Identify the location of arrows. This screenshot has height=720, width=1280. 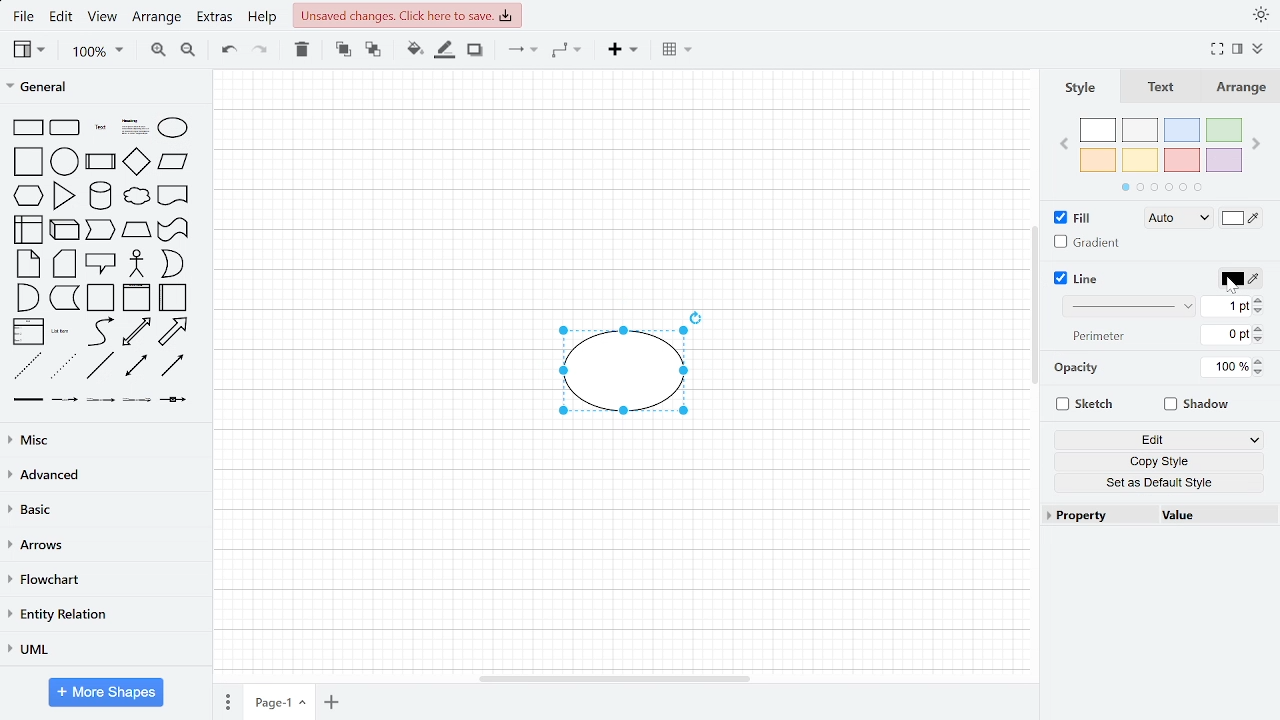
(100, 545).